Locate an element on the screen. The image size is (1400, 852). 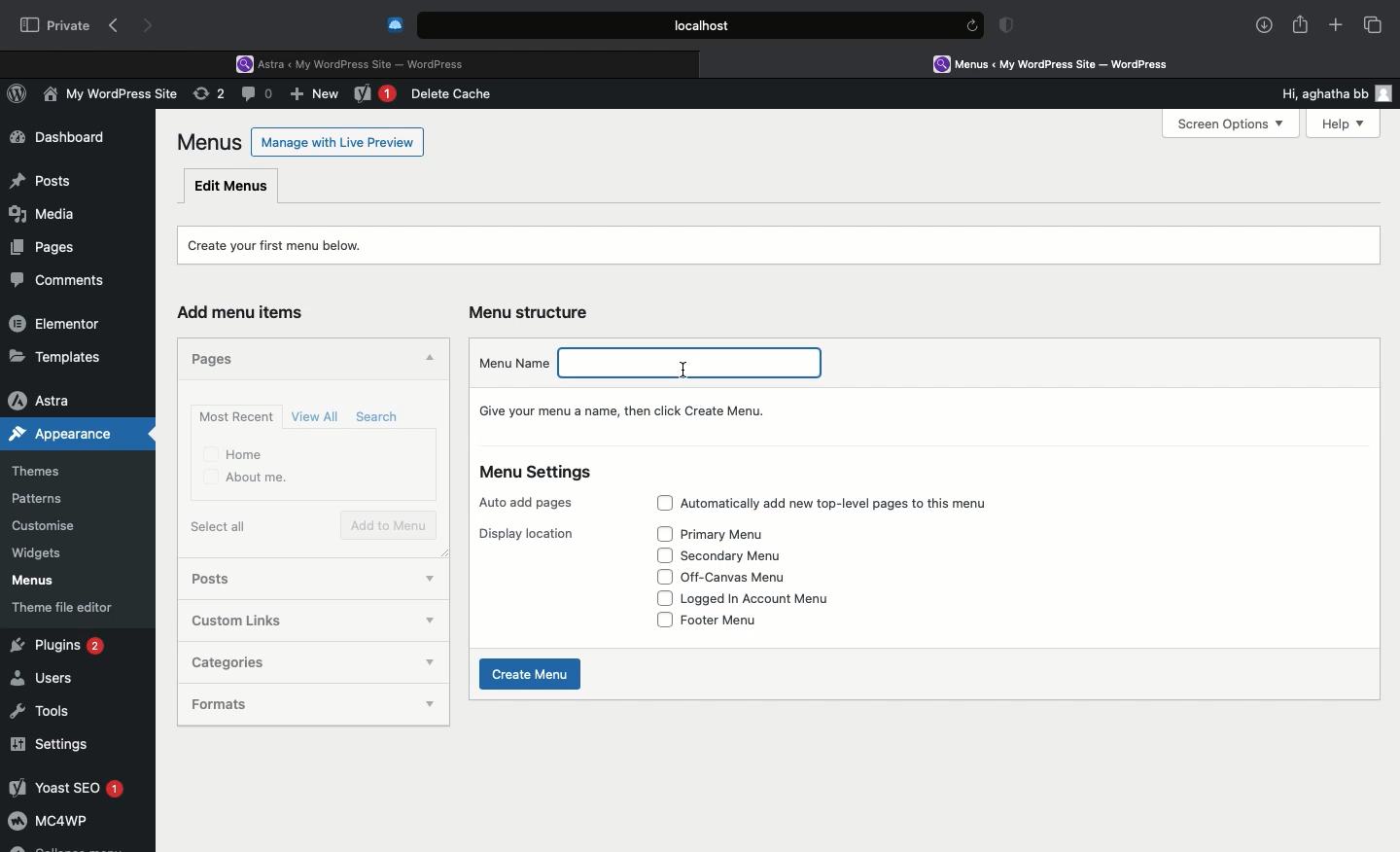
Menu structure is located at coordinates (533, 312).